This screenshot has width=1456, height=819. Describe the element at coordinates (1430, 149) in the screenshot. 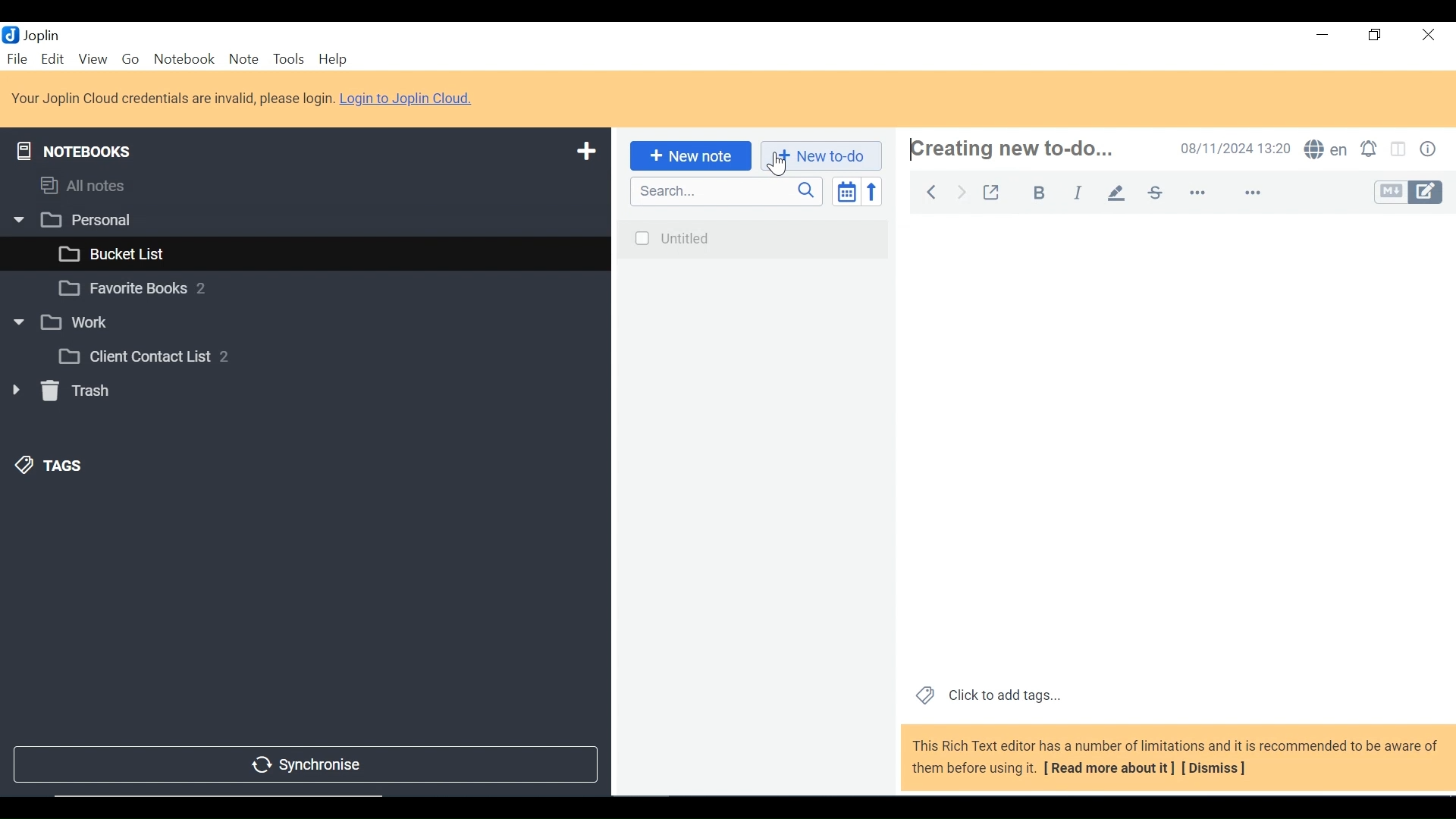

I see `Note Properties` at that location.